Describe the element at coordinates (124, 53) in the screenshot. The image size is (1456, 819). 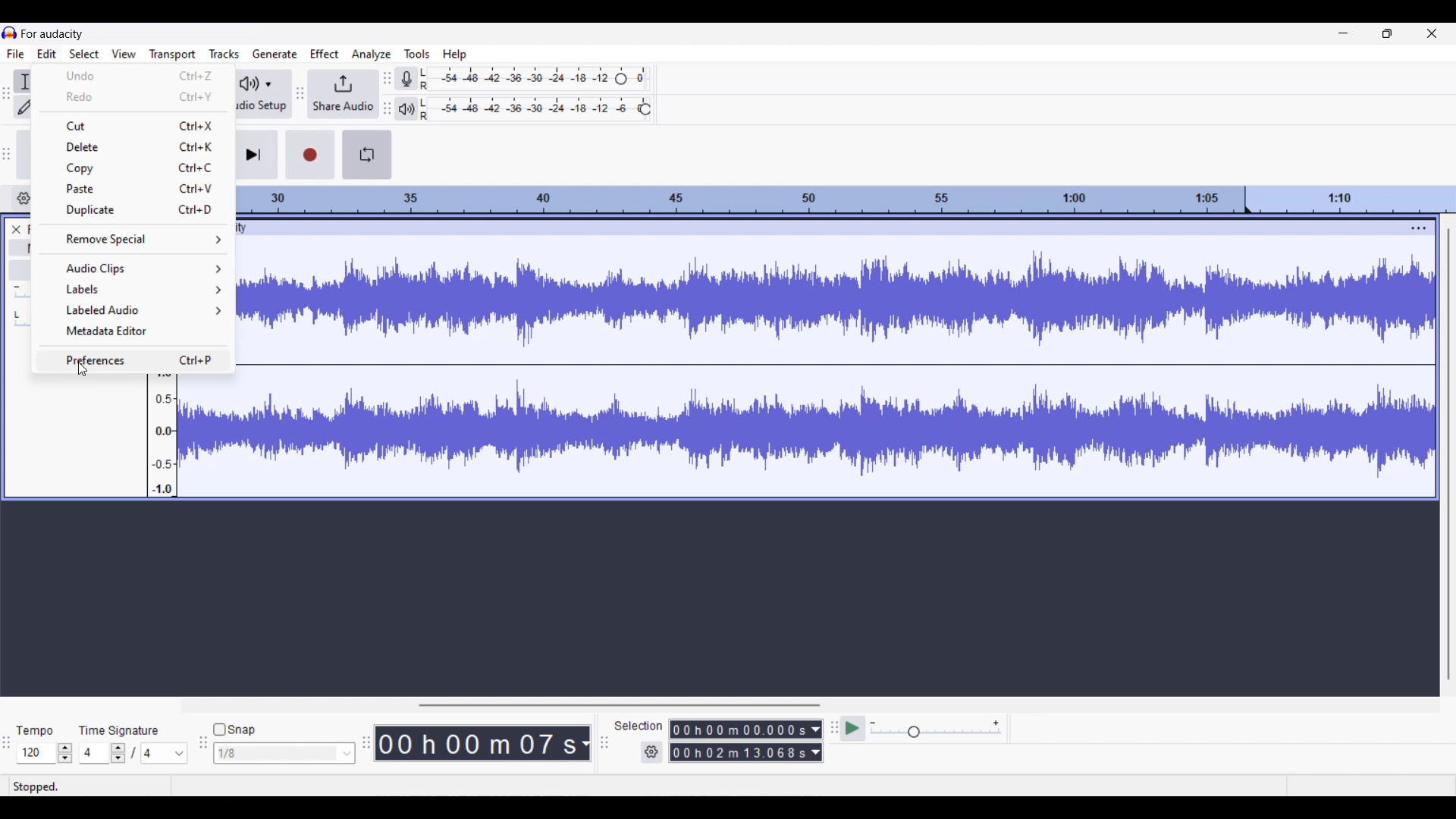
I see `View menu` at that location.